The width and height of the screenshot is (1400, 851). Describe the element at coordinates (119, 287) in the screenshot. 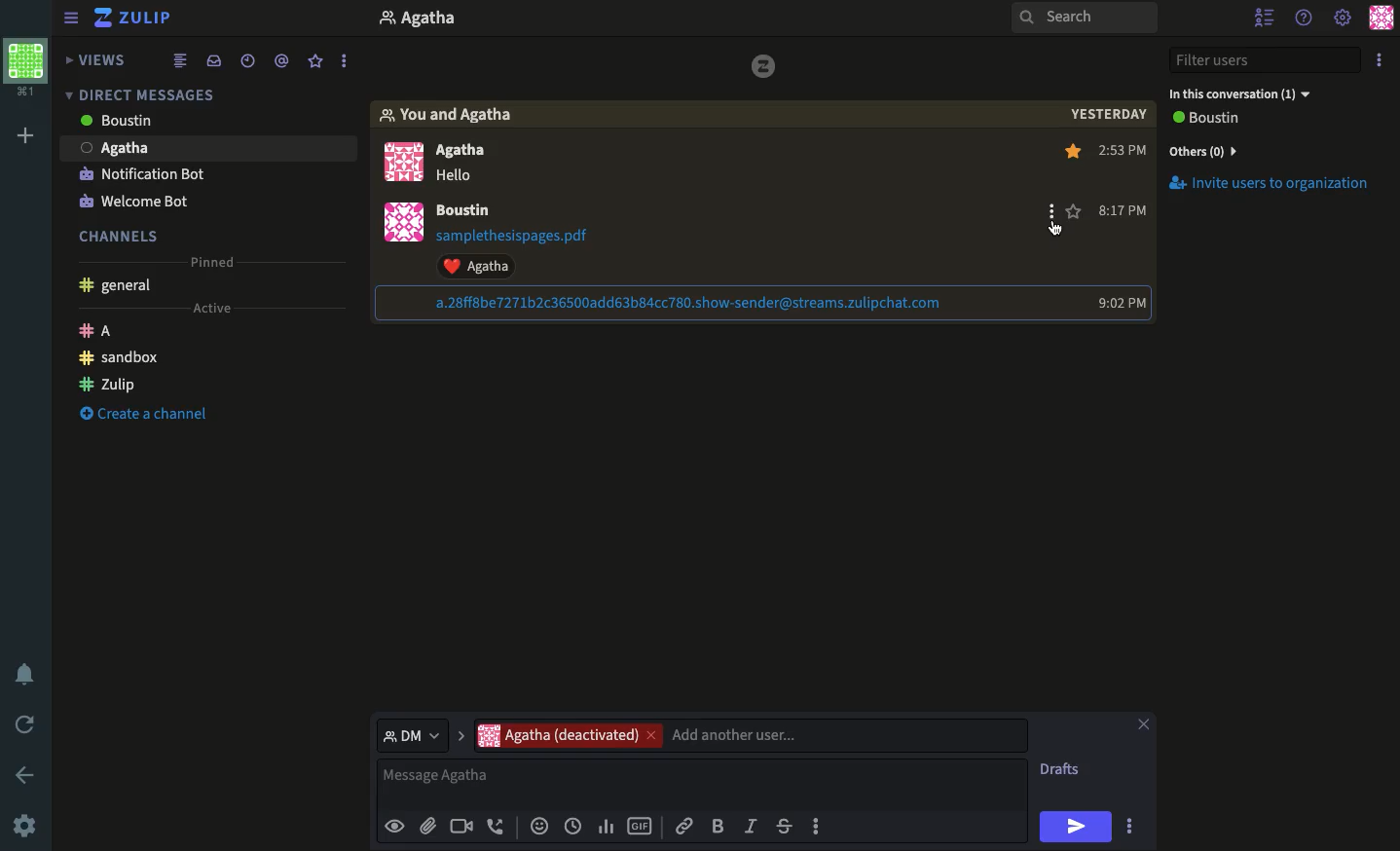

I see `General` at that location.